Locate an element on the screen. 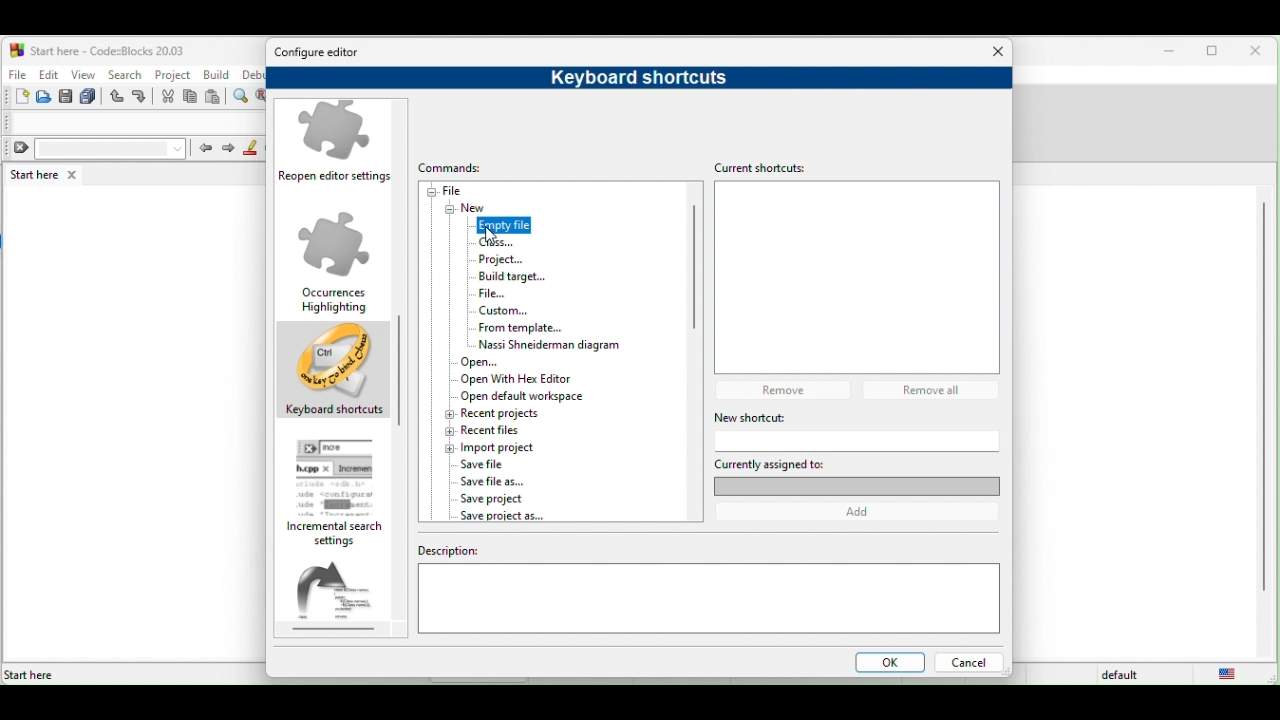 The width and height of the screenshot is (1280, 720). united state is located at coordinates (1232, 674).